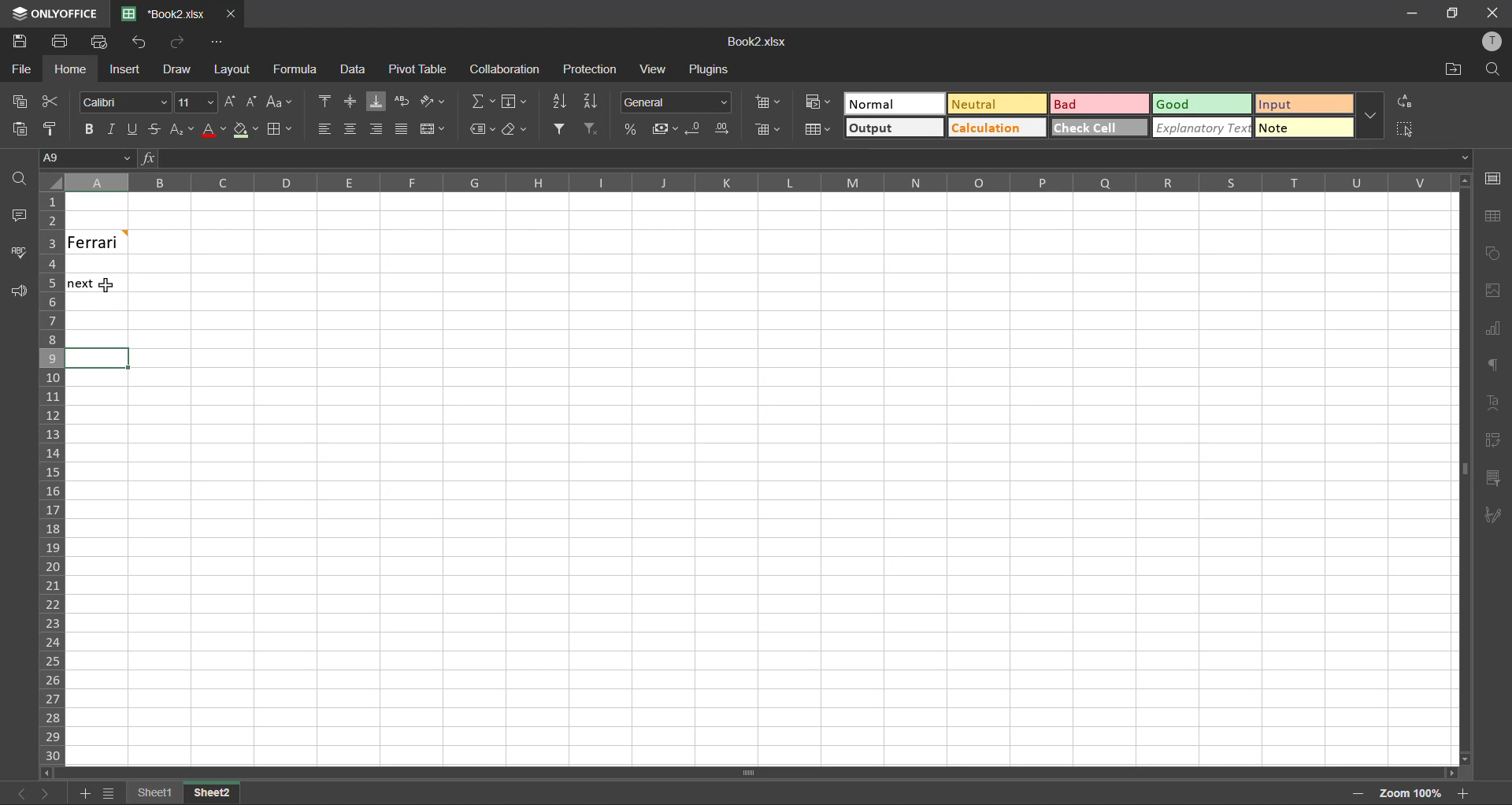  What do you see at coordinates (724, 128) in the screenshot?
I see `increase decimal` at bounding box center [724, 128].